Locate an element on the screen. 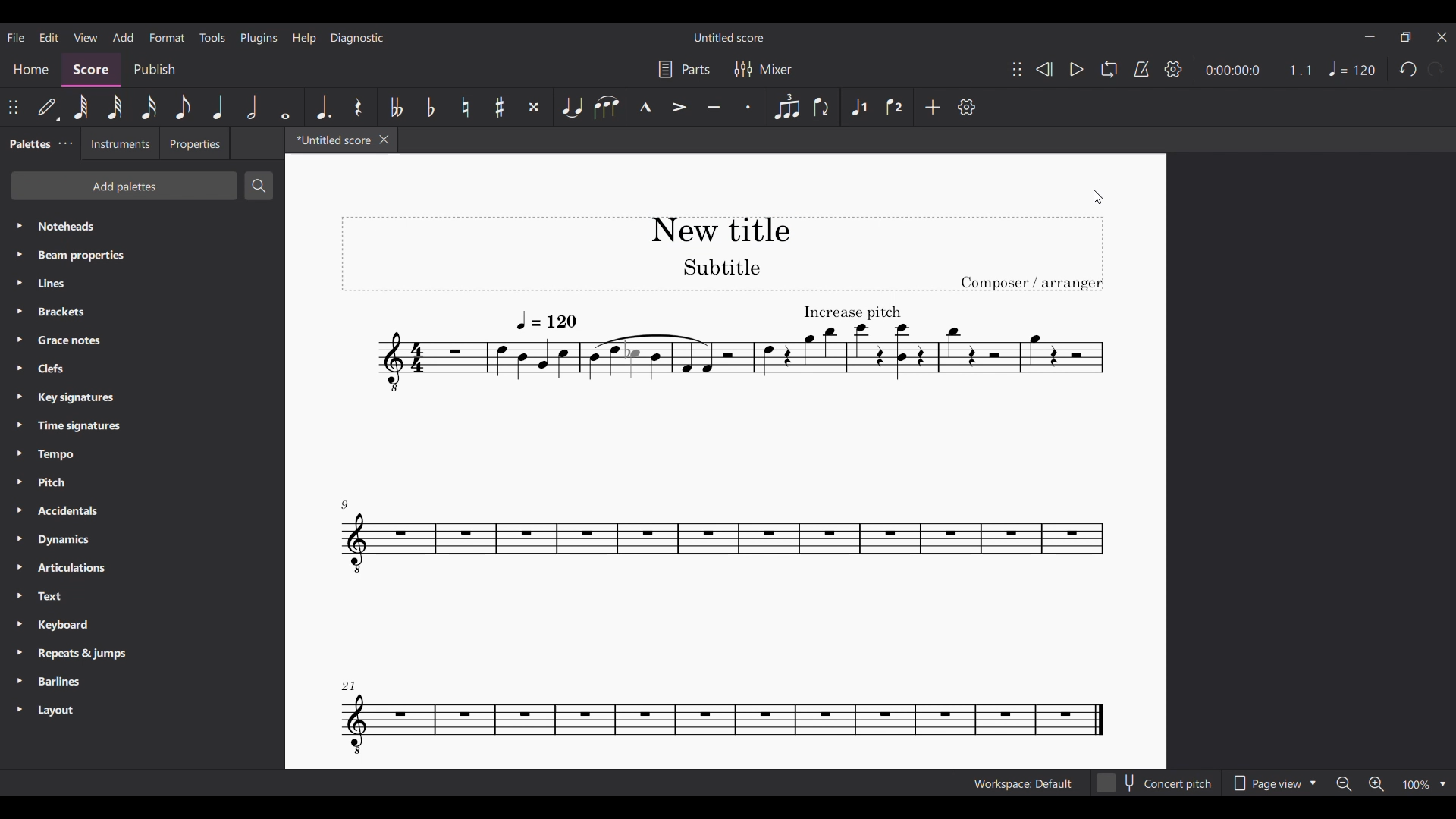 Image resolution: width=1456 pixels, height=819 pixels. Quarter note is located at coordinates (218, 107).